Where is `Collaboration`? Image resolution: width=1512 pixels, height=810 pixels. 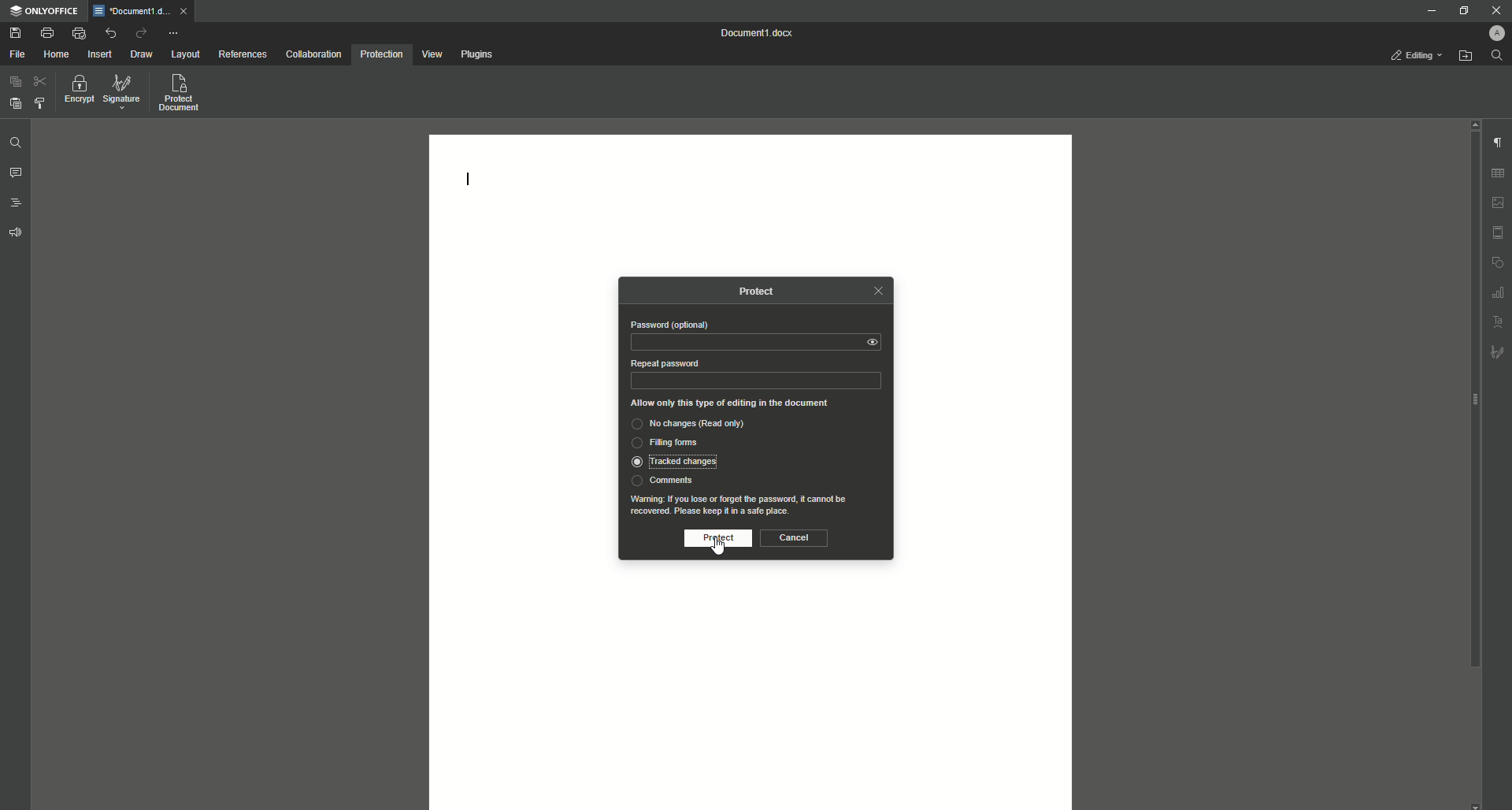
Collaboration is located at coordinates (312, 54).